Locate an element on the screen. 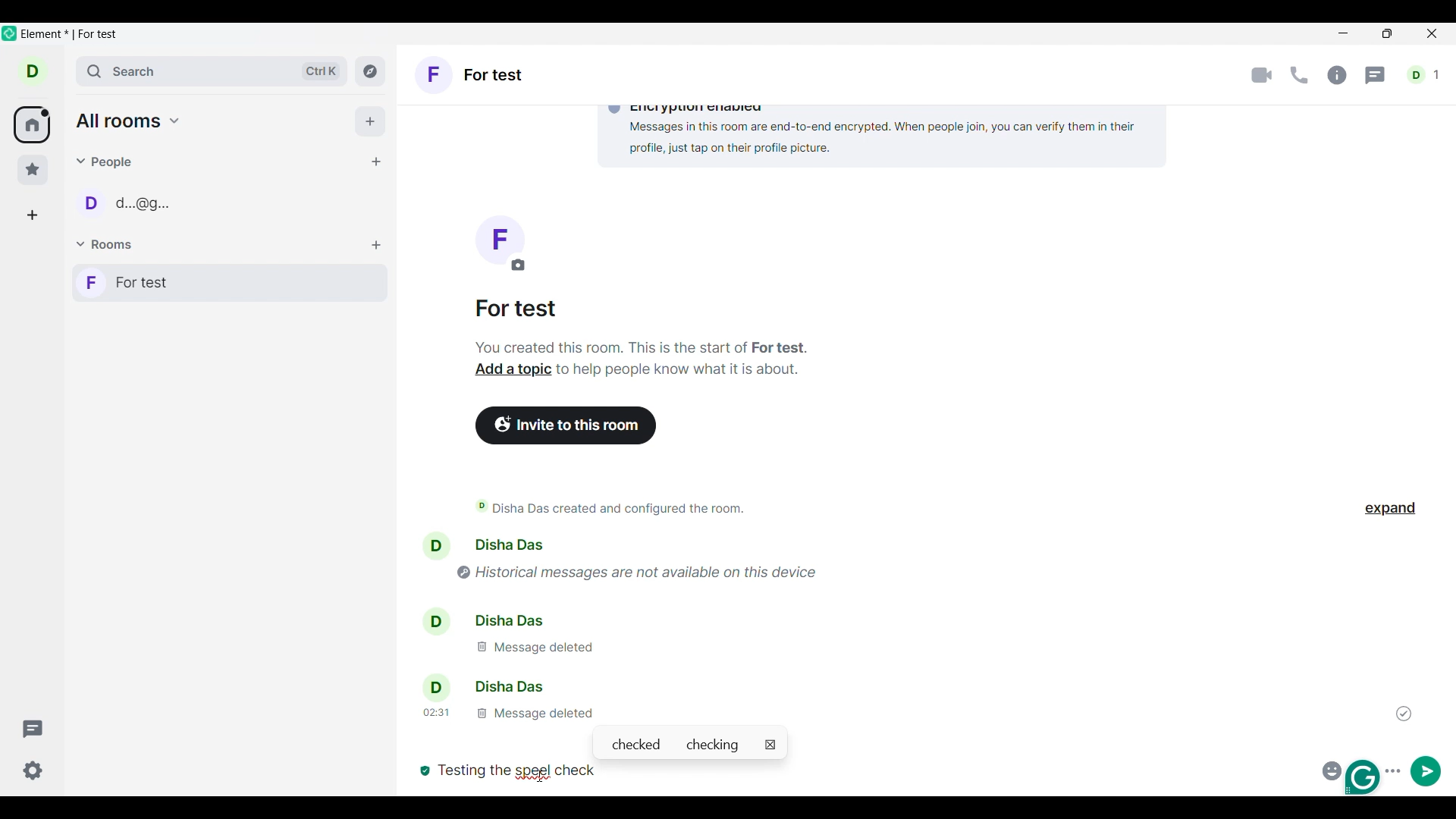  disha das is located at coordinates (515, 544).